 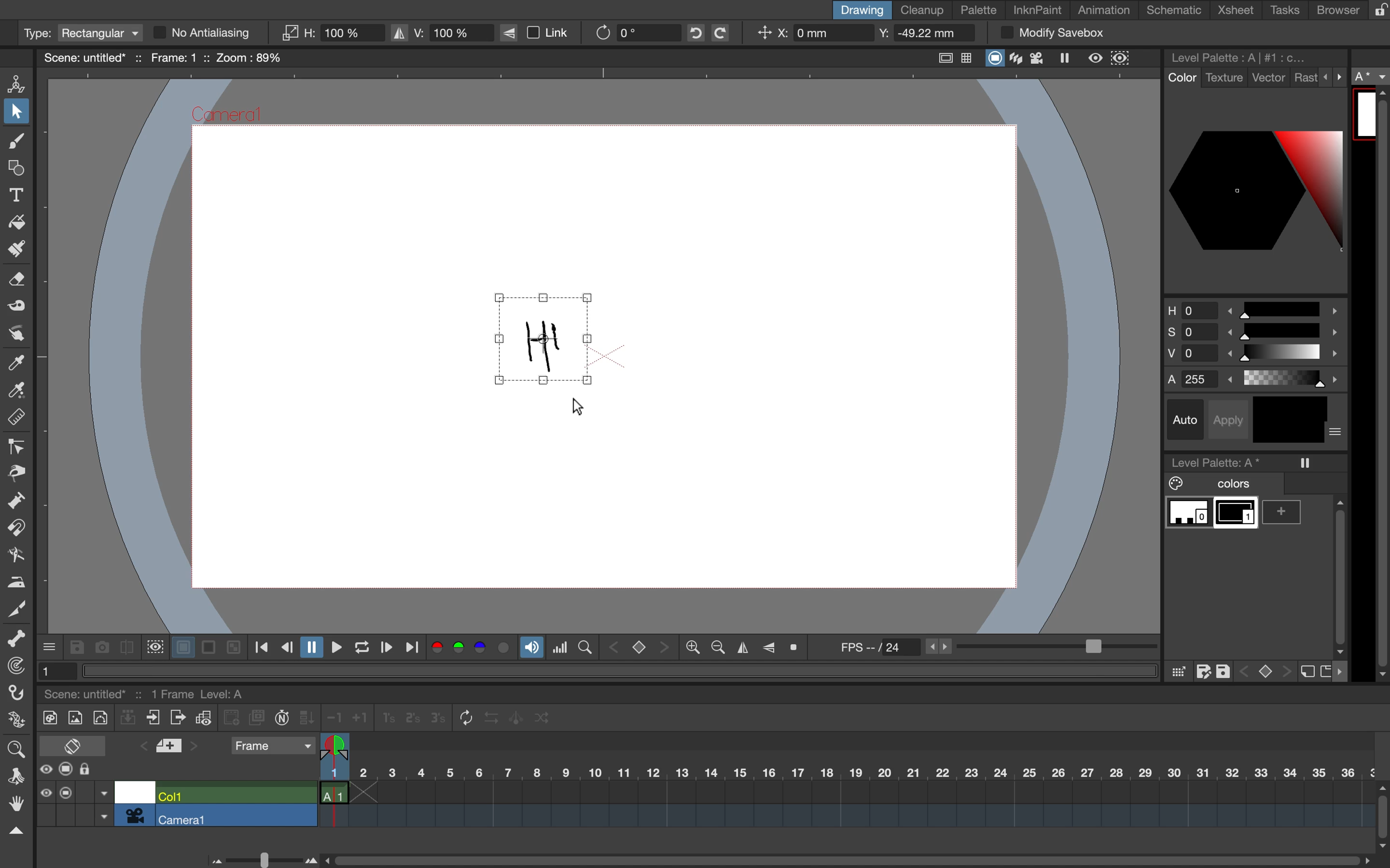 What do you see at coordinates (259, 858) in the screenshot?
I see `time line bar scale` at bounding box center [259, 858].